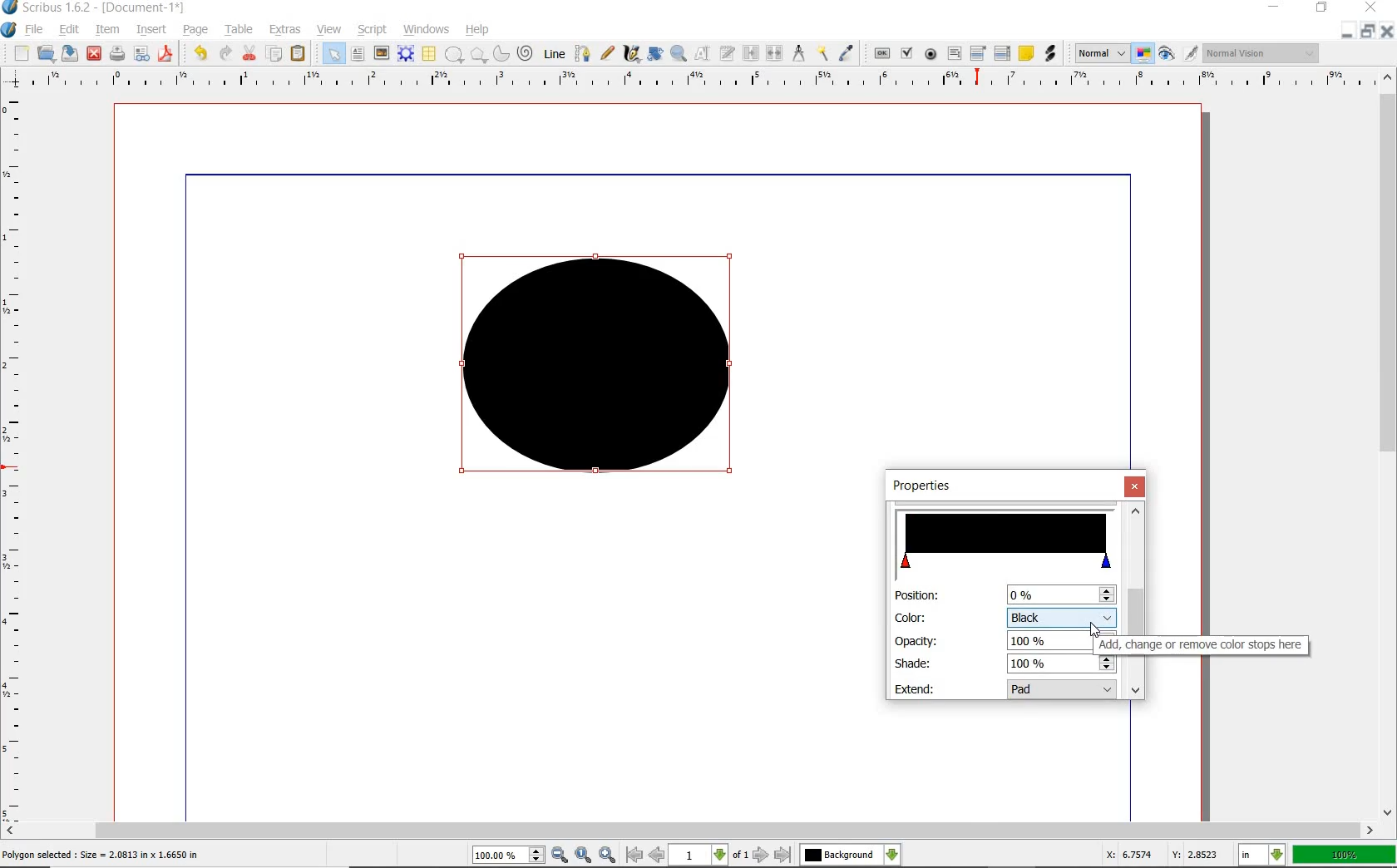 The height and width of the screenshot is (868, 1397). Describe the element at coordinates (608, 52) in the screenshot. I see `FREEHAND LINE` at that location.